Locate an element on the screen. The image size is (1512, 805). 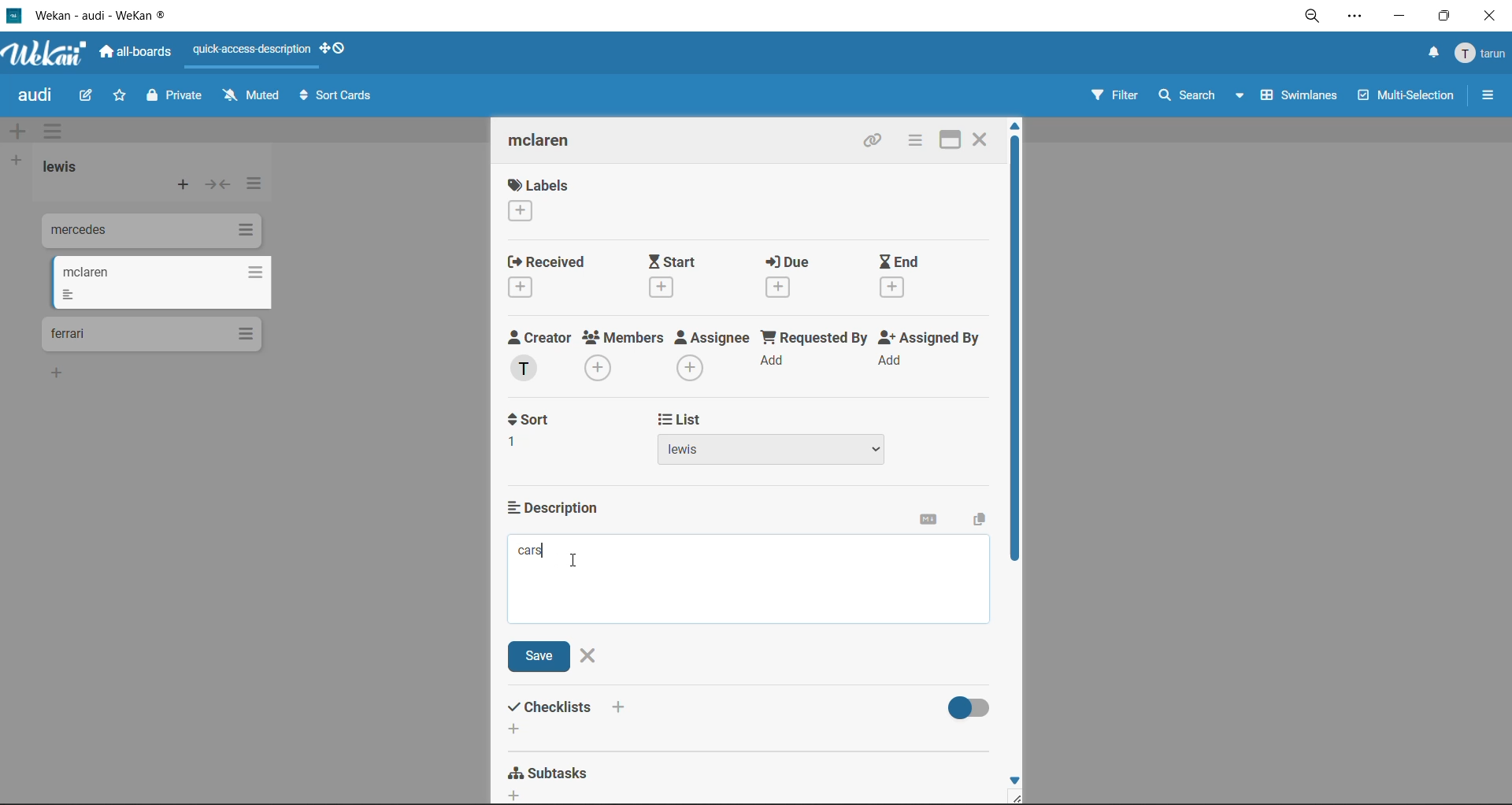
search is located at coordinates (1203, 96).